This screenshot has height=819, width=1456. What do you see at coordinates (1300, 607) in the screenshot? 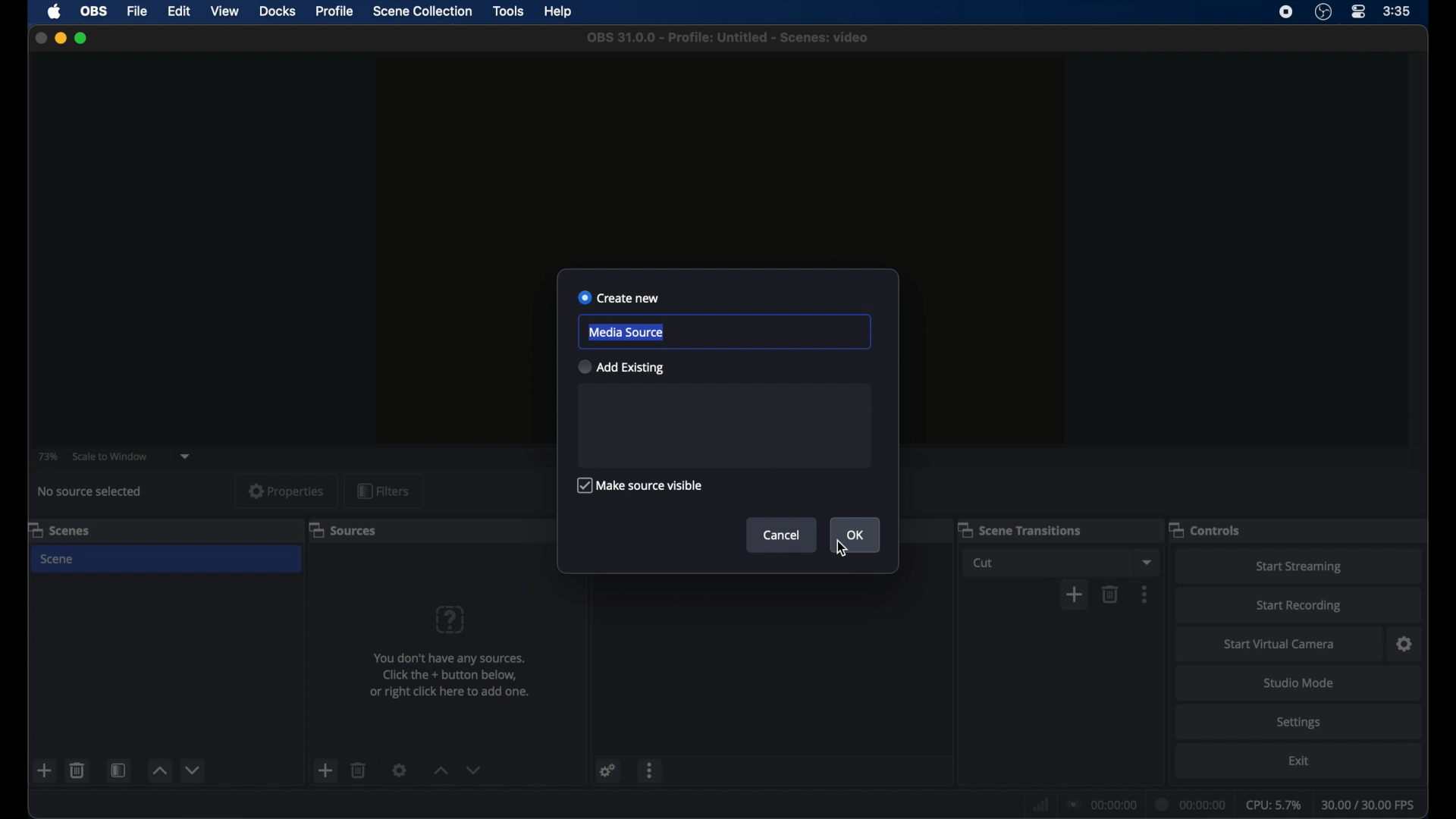
I see `start recording` at bounding box center [1300, 607].